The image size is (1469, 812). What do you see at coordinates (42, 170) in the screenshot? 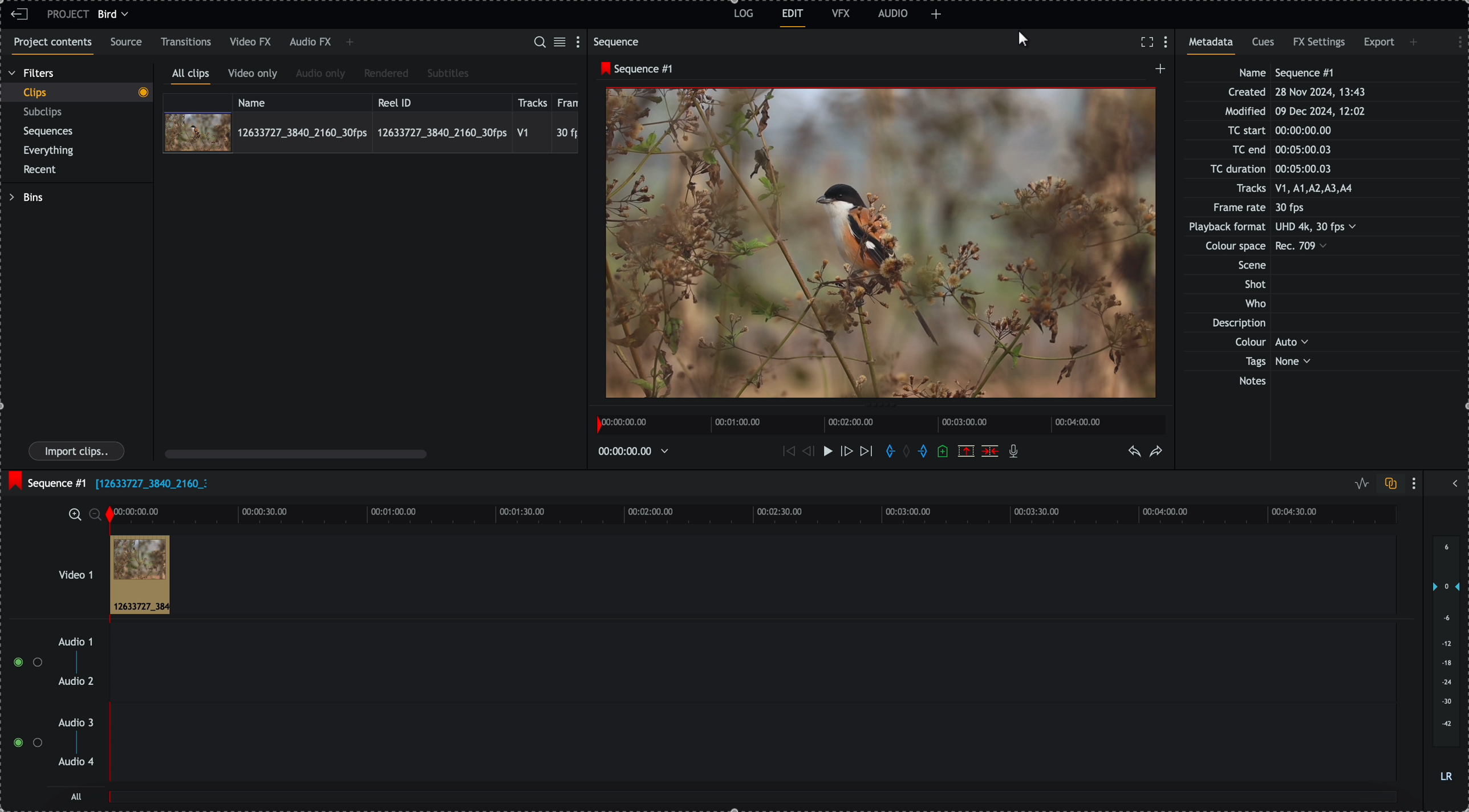
I see `recent` at bounding box center [42, 170].